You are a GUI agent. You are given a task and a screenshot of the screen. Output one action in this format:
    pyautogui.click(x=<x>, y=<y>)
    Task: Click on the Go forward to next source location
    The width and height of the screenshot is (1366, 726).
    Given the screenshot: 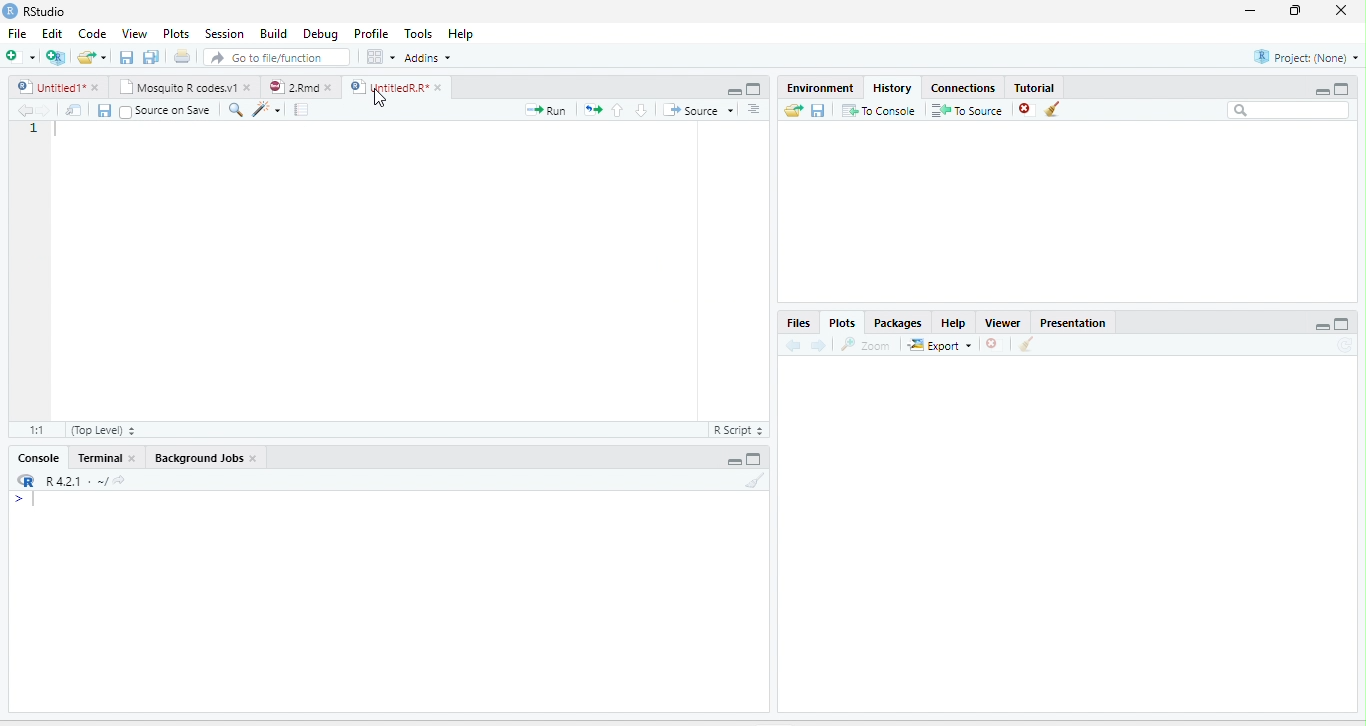 What is the action you would take?
    pyautogui.click(x=44, y=110)
    